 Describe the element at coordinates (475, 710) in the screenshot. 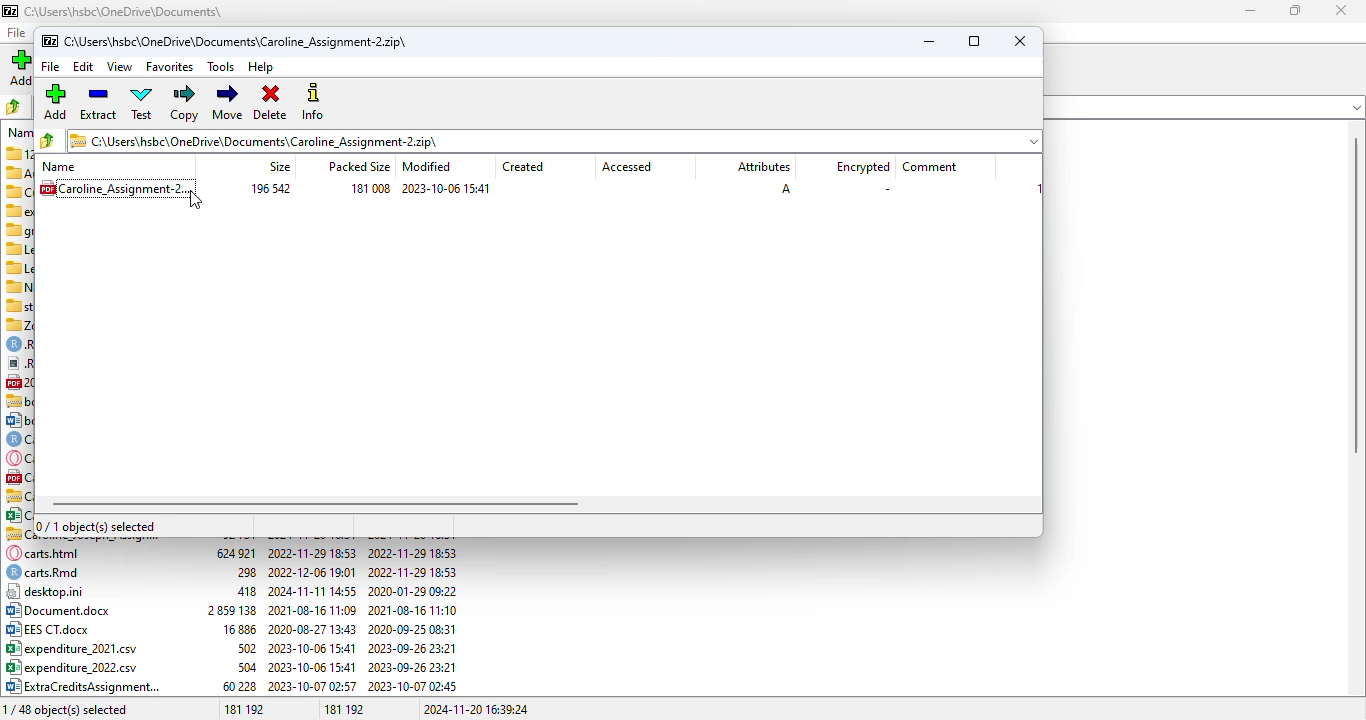

I see `2024-11-20 16:39:24` at that location.